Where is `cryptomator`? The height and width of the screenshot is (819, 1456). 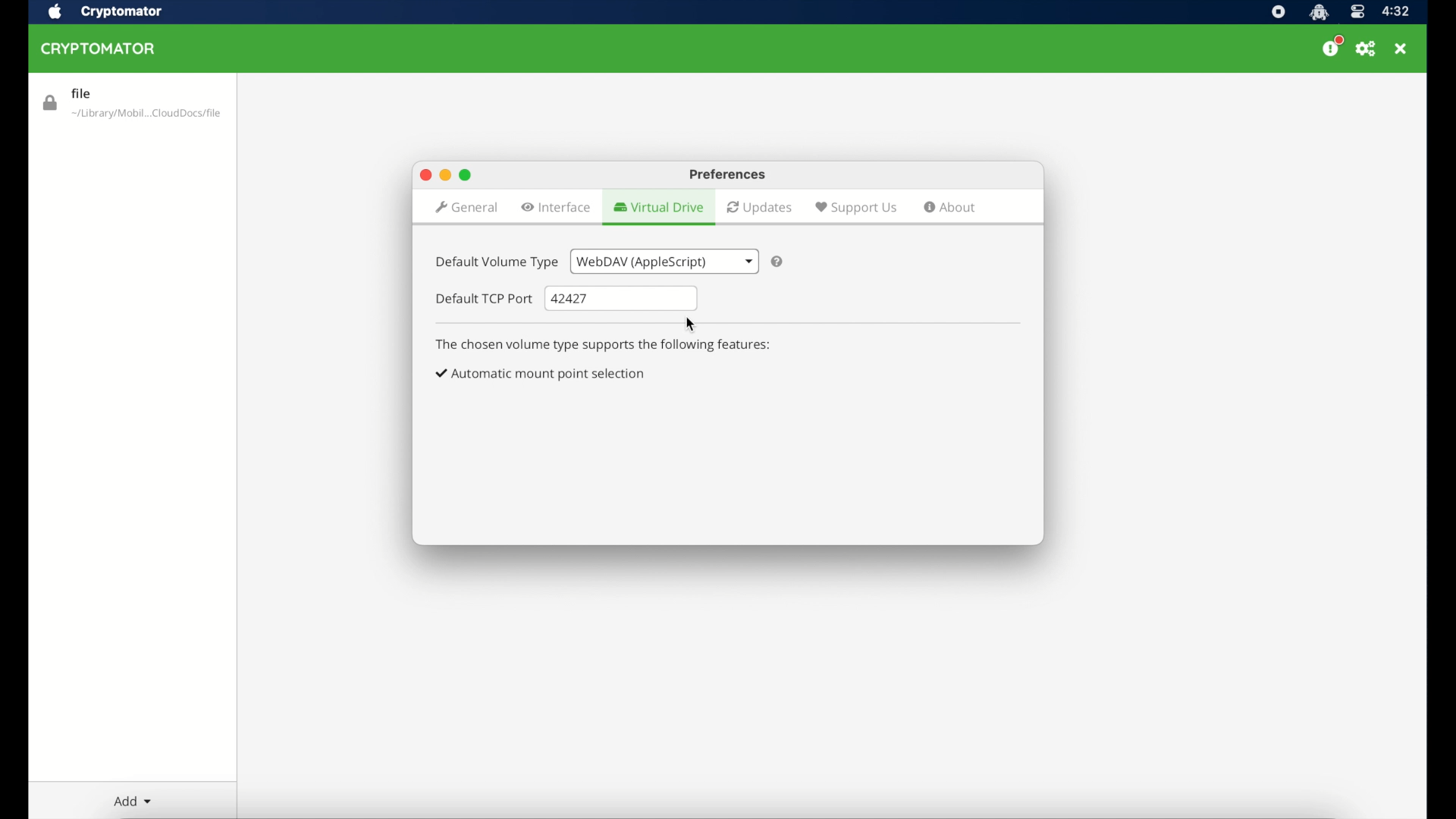 cryptomator is located at coordinates (102, 49).